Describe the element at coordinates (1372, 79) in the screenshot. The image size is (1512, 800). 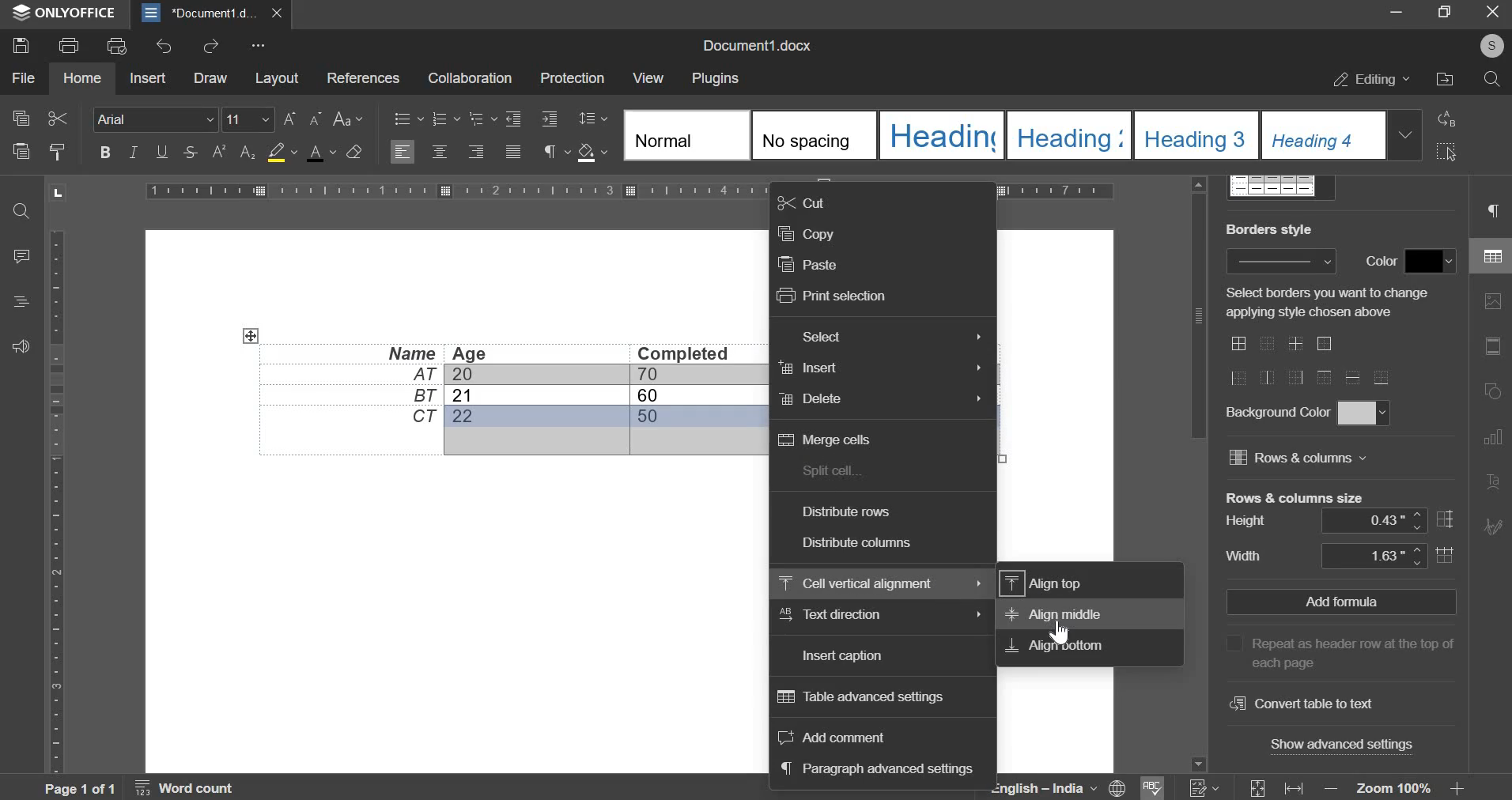
I see `editing` at that location.